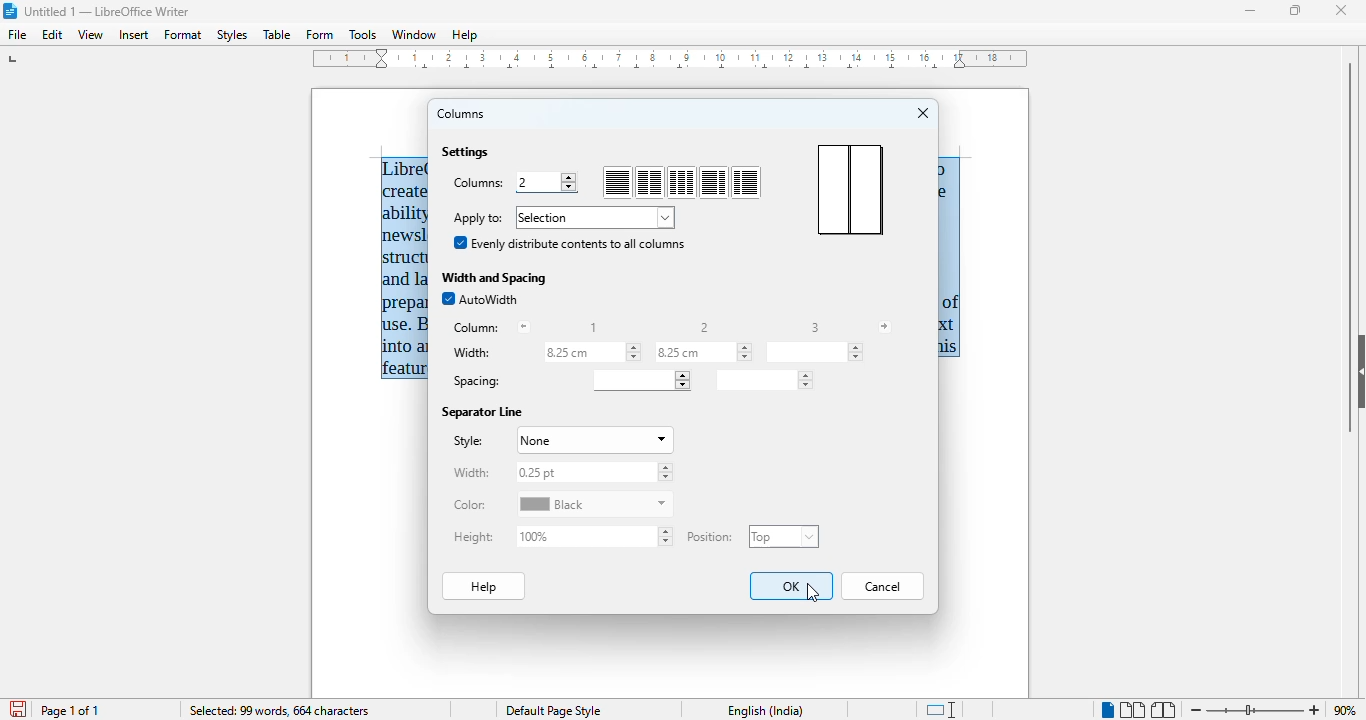  What do you see at coordinates (465, 35) in the screenshot?
I see `help` at bounding box center [465, 35].